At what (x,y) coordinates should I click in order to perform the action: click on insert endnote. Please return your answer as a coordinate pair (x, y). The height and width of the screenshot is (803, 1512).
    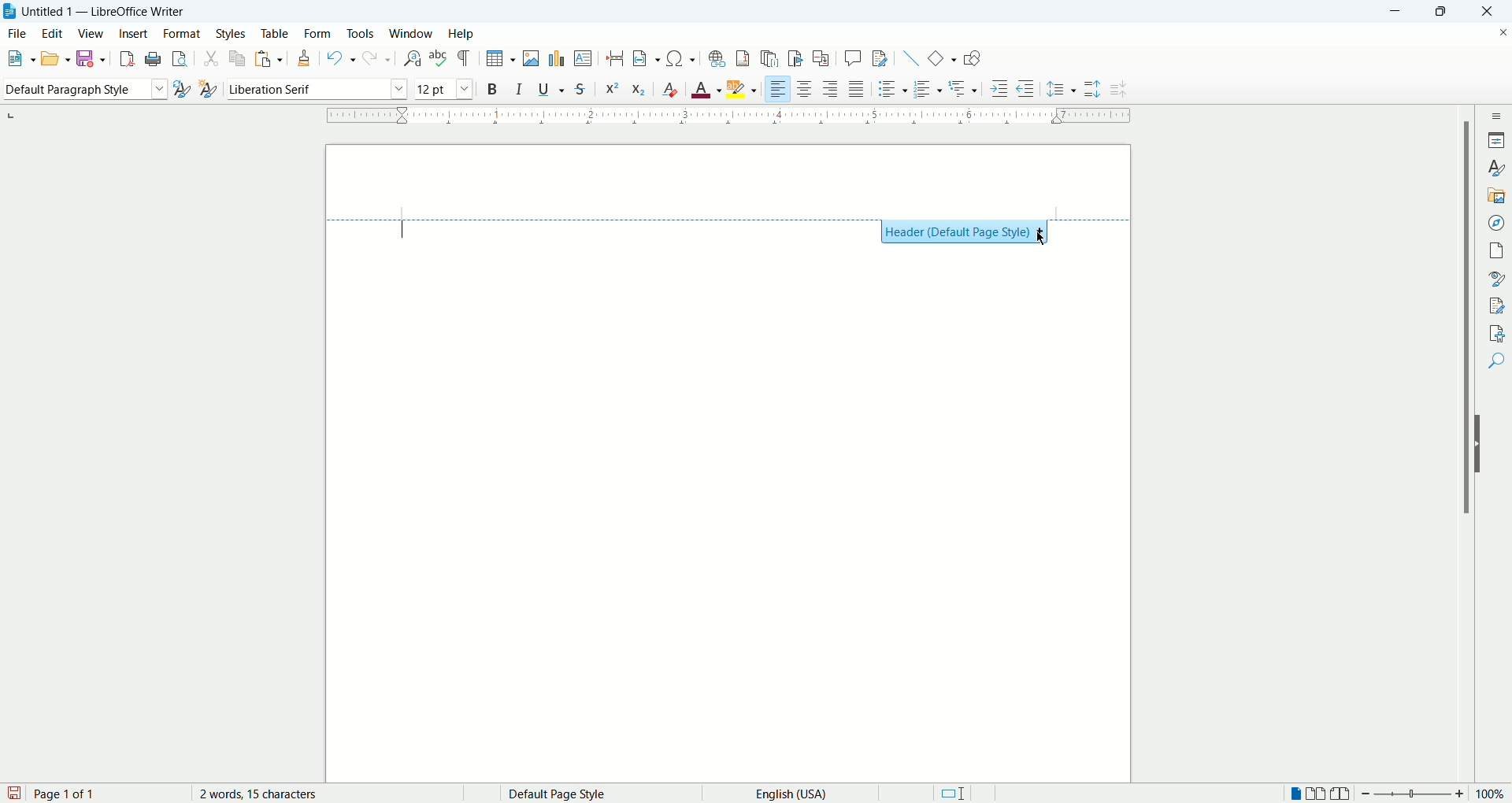
    Looking at the image, I should click on (771, 60).